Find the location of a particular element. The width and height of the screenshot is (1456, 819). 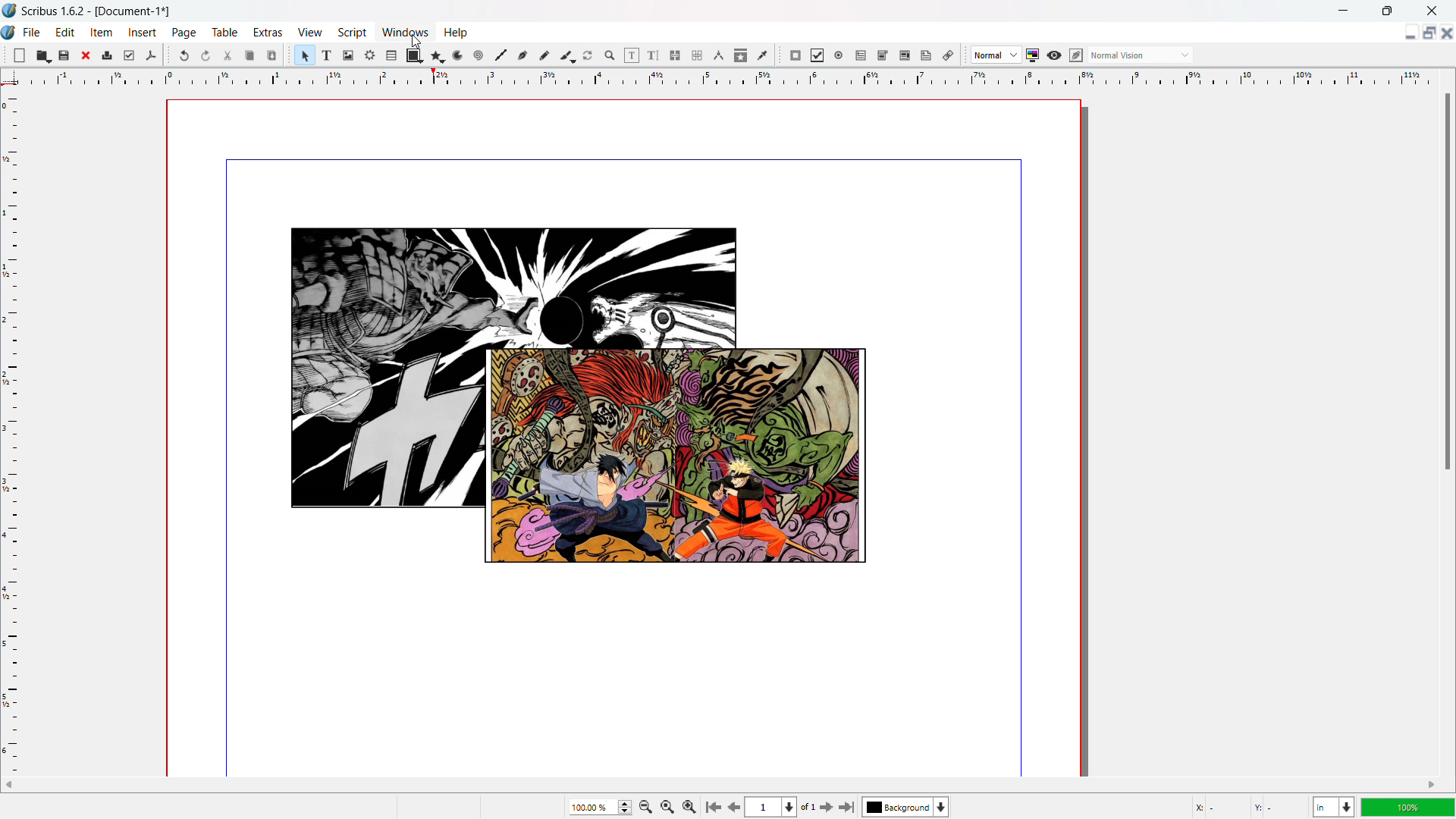

go to previous page is located at coordinates (734, 805).